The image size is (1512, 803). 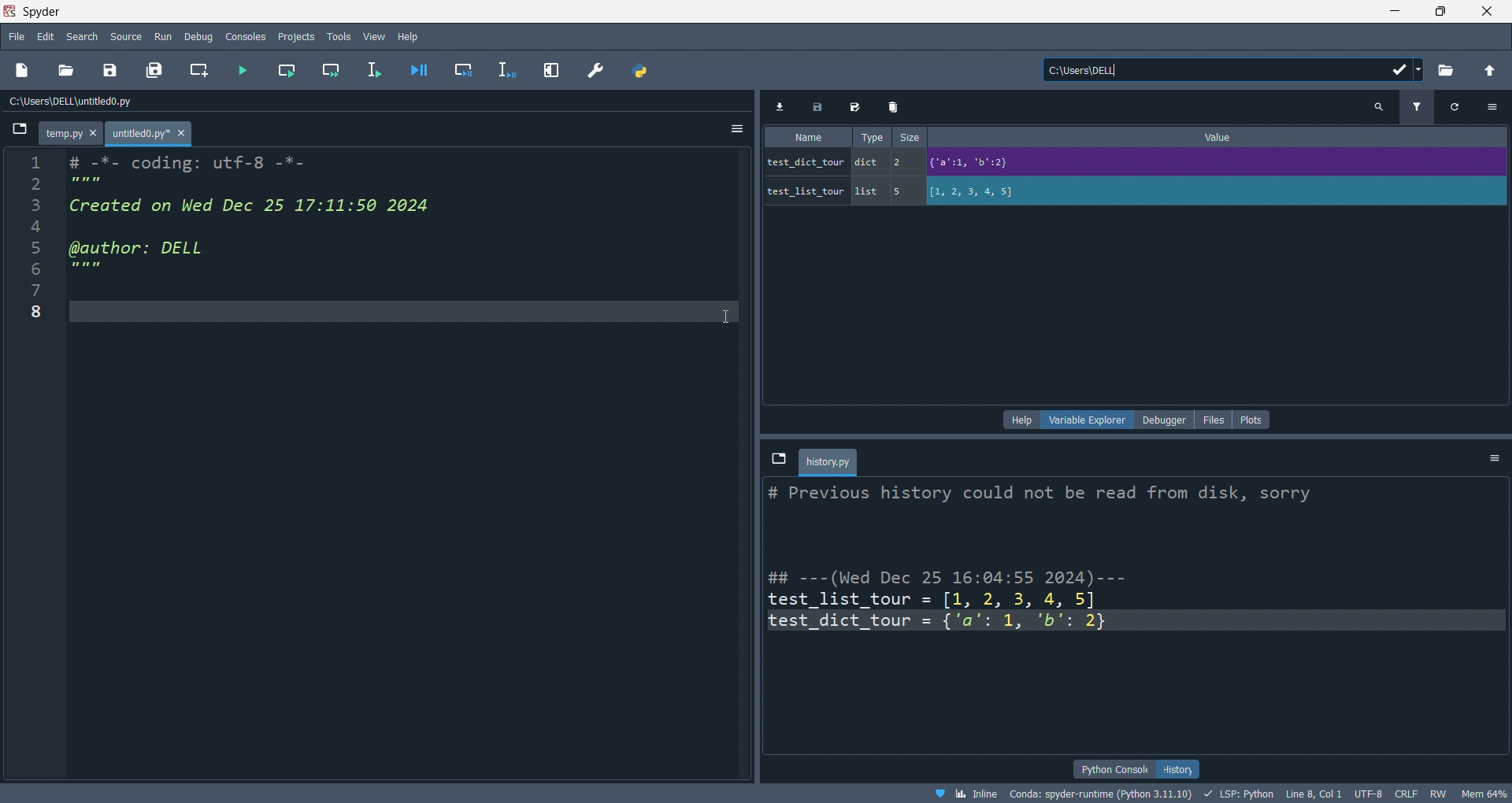 What do you see at coordinates (154, 71) in the screenshot?
I see `save all` at bounding box center [154, 71].